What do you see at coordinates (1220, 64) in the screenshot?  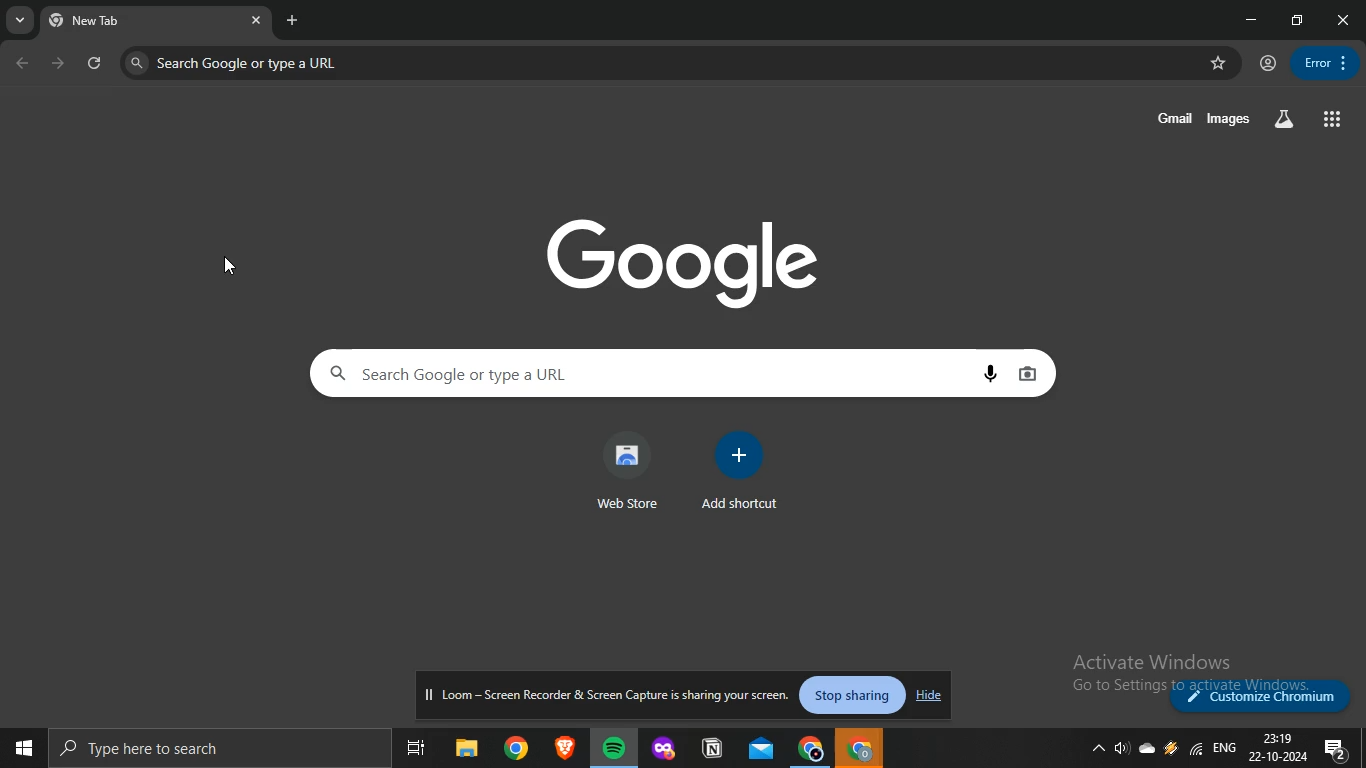 I see `bookmark this tab` at bounding box center [1220, 64].